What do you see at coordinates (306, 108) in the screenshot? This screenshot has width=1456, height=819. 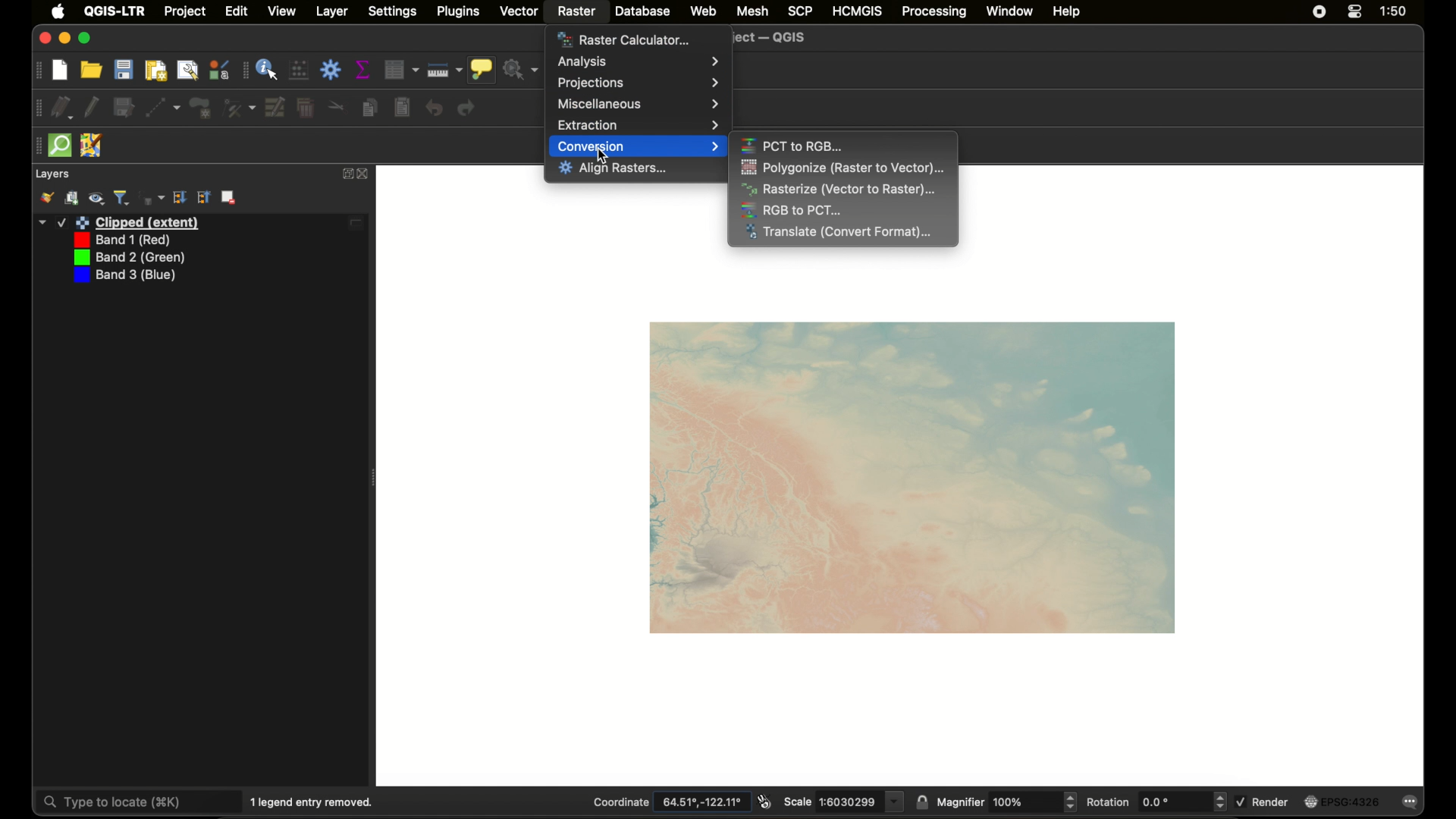 I see `delete selected` at bounding box center [306, 108].